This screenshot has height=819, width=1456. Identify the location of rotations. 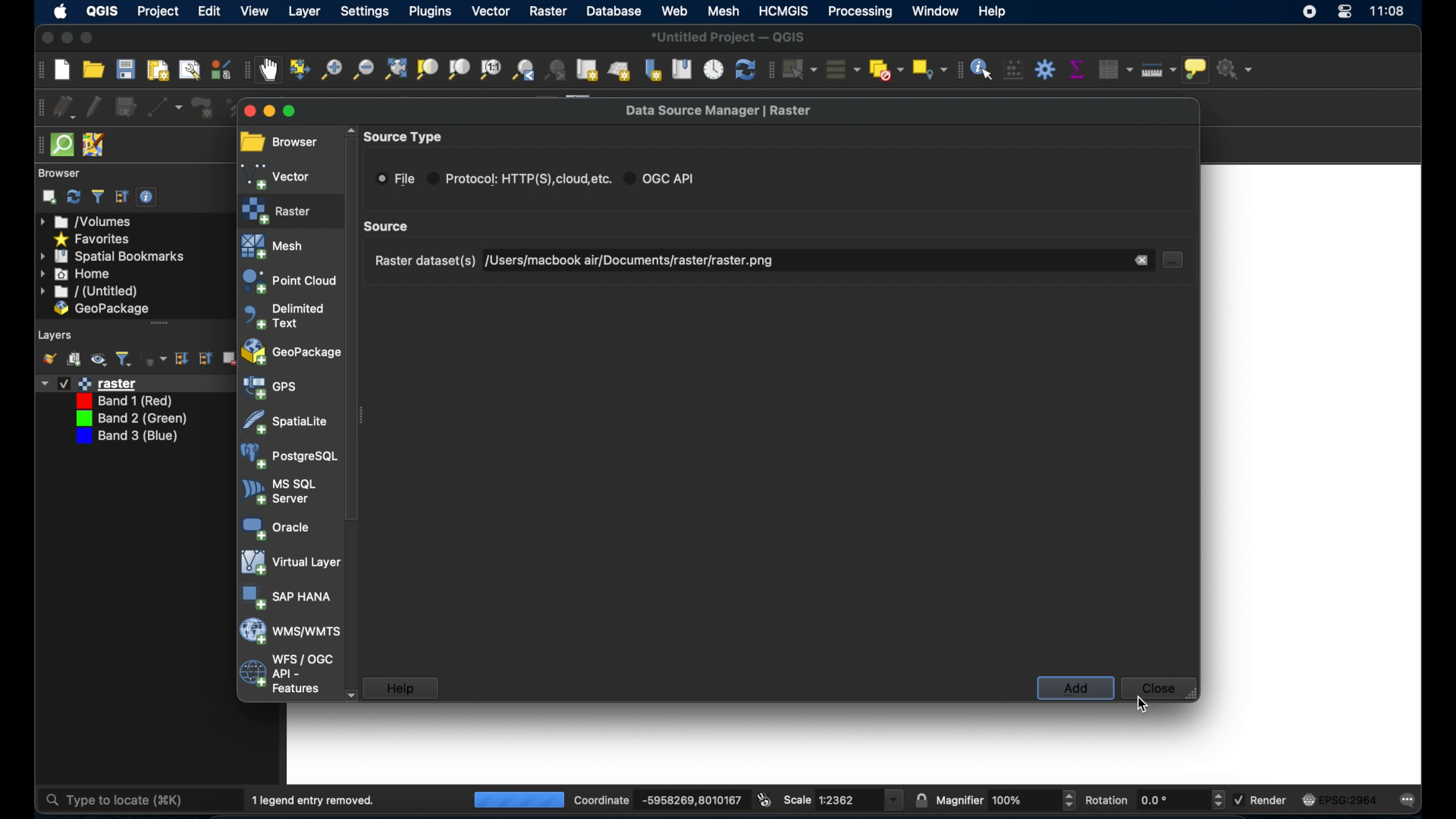
(1155, 800).